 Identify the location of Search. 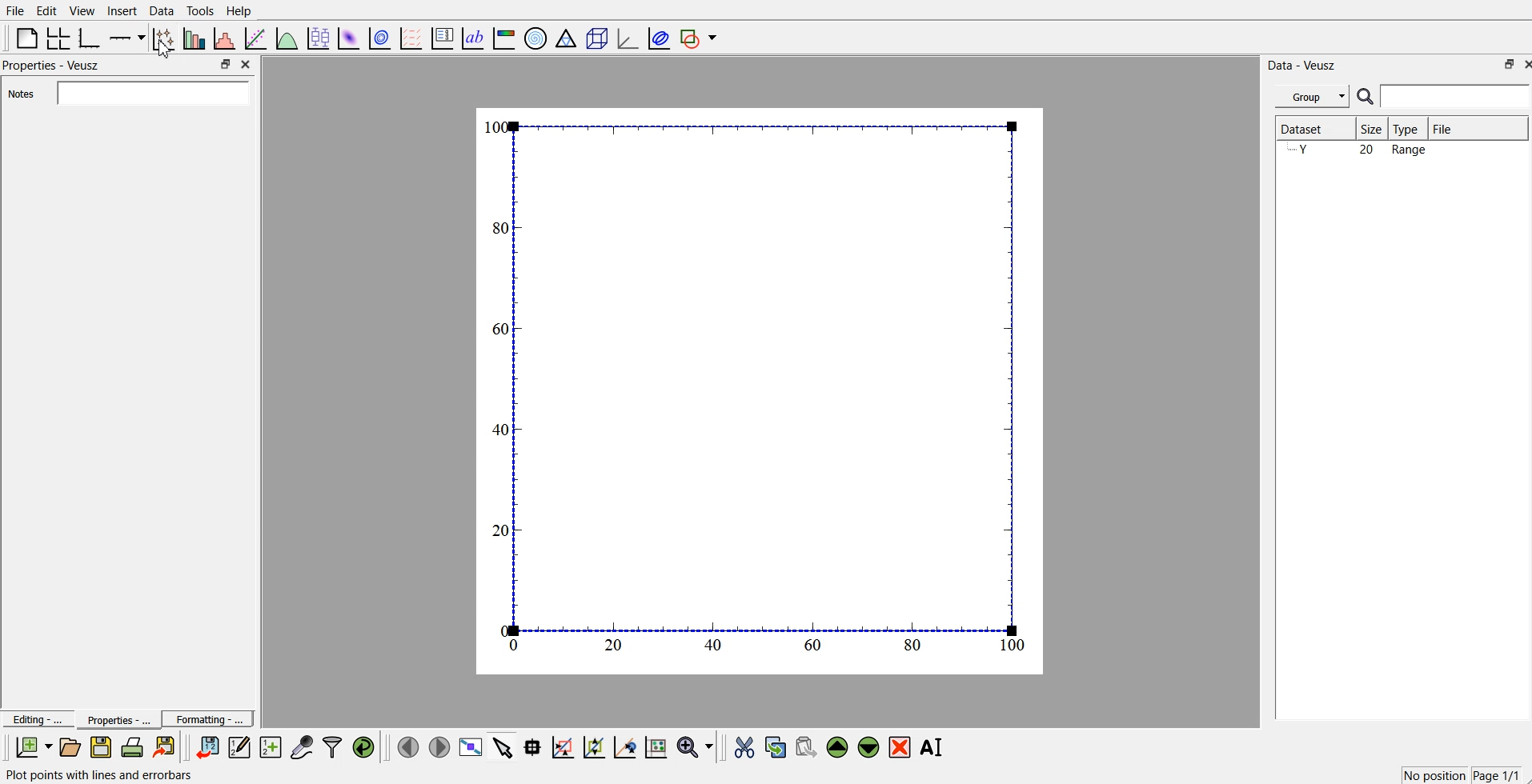
(1444, 97).